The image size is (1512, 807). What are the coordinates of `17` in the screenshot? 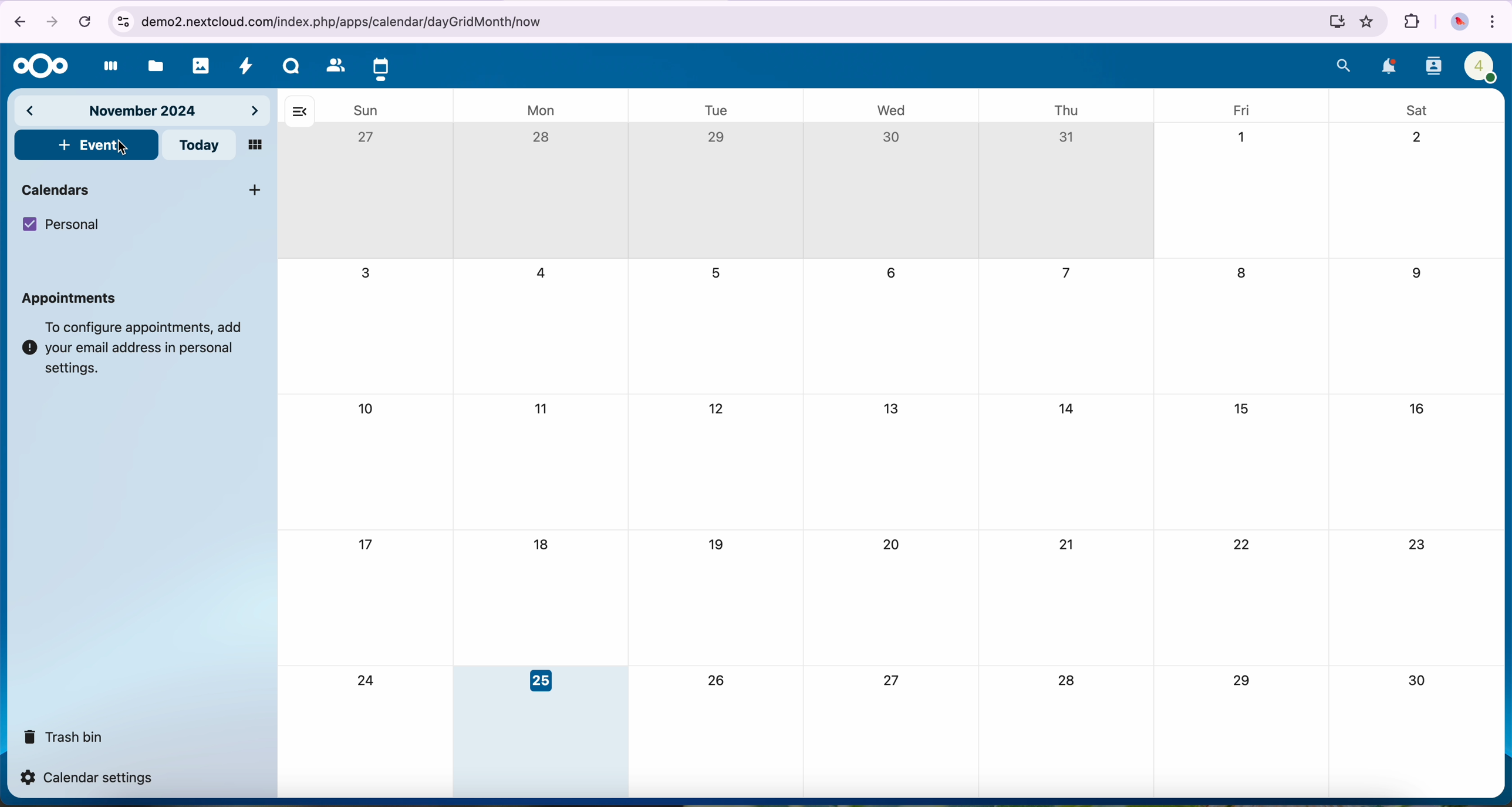 It's located at (367, 546).